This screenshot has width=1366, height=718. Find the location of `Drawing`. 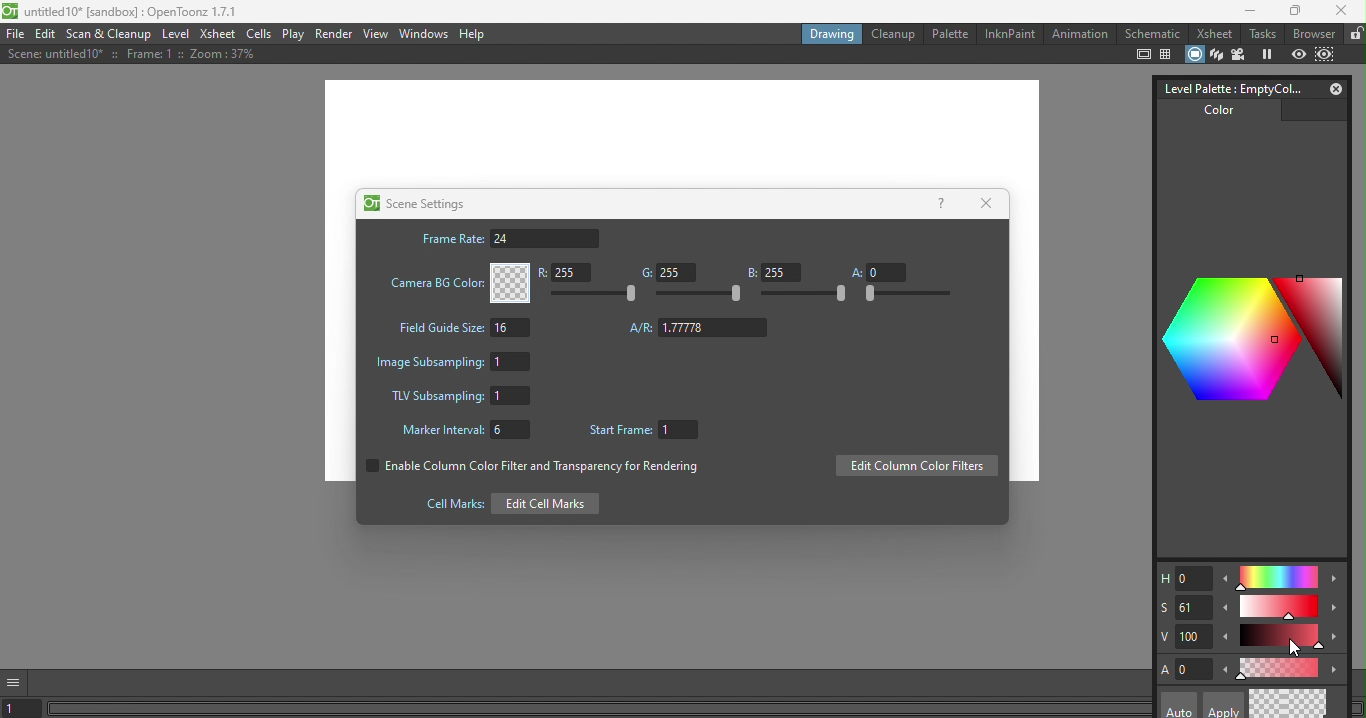

Drawing is located at coordinates (830, 33).